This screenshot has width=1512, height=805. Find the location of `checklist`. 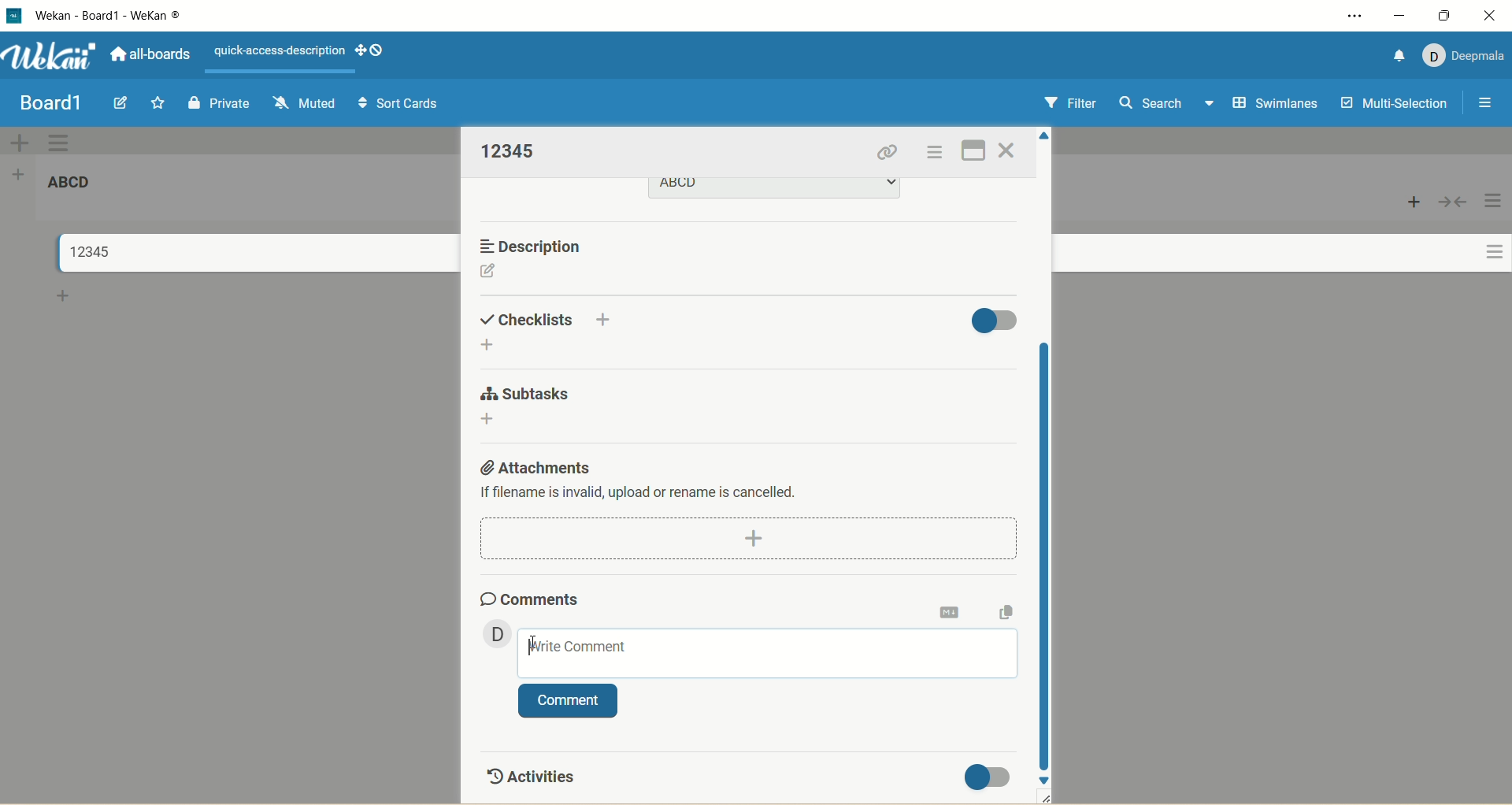

checklist is located at coordinates (528, 317).